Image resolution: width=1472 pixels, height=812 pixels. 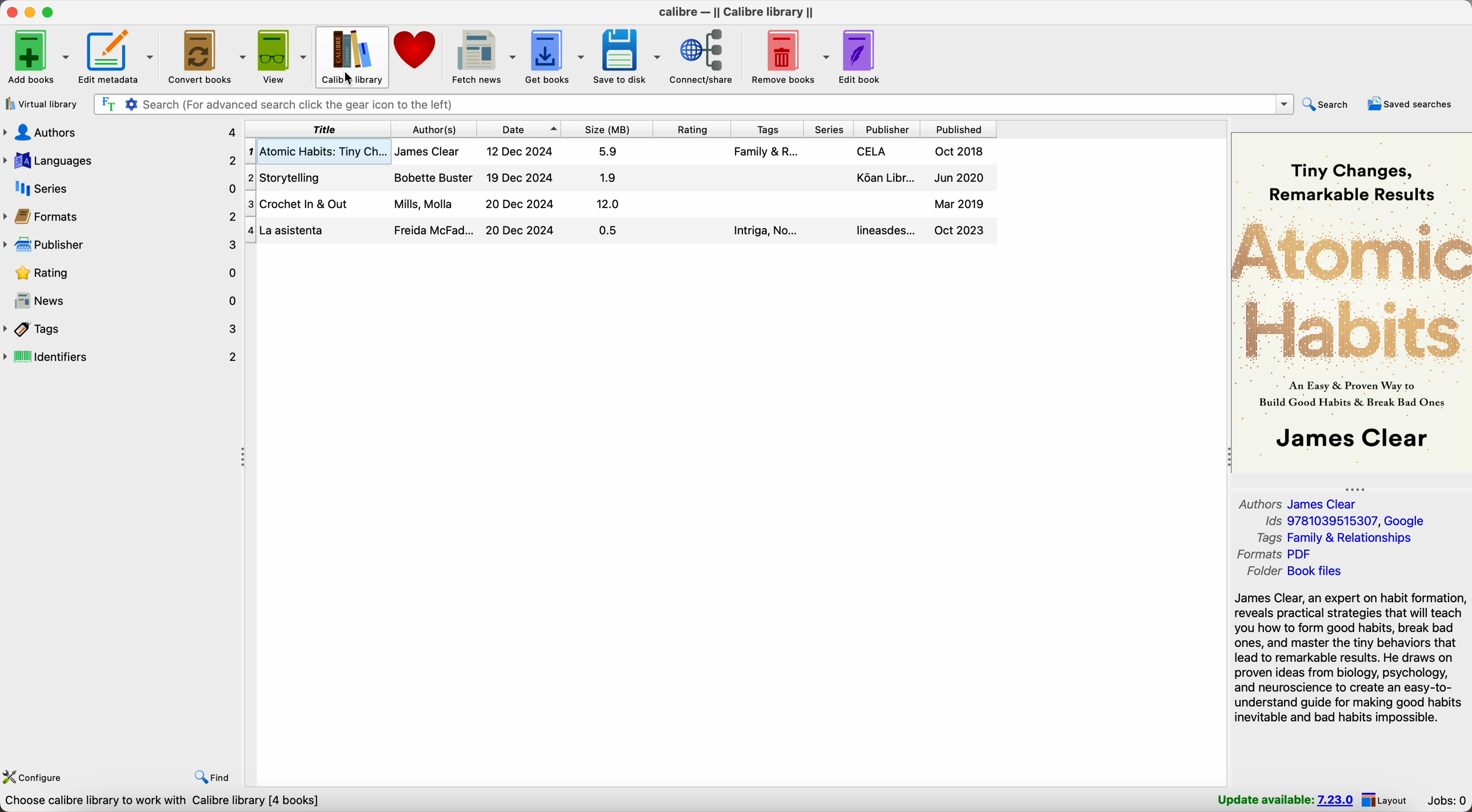 What do you see at coordinates (121, 131) in the screenshot?
I see `authors` at bounding box center [121, 131].